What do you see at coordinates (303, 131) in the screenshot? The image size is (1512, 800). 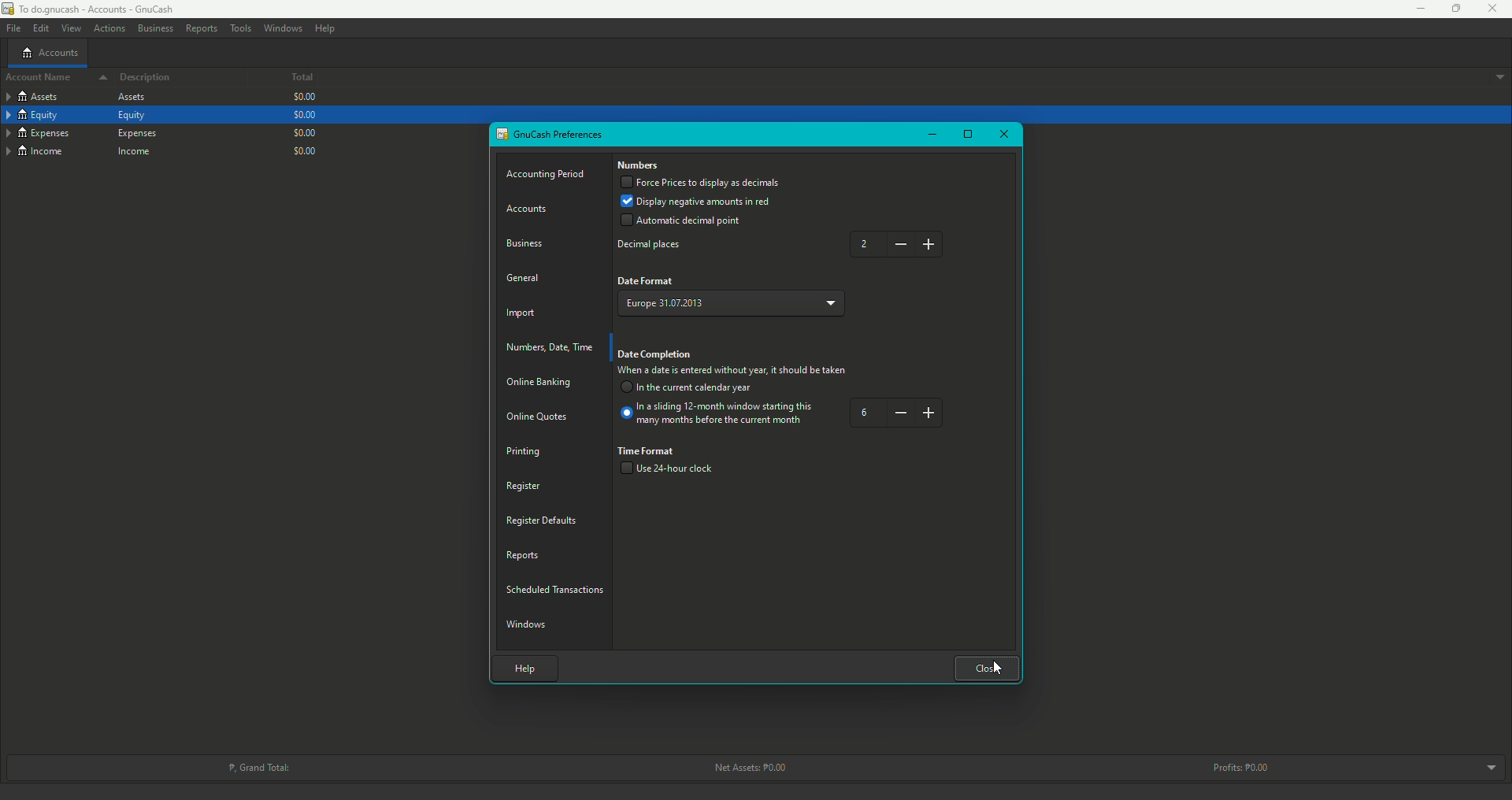 I see `$0` at bounding box center [303, 131].